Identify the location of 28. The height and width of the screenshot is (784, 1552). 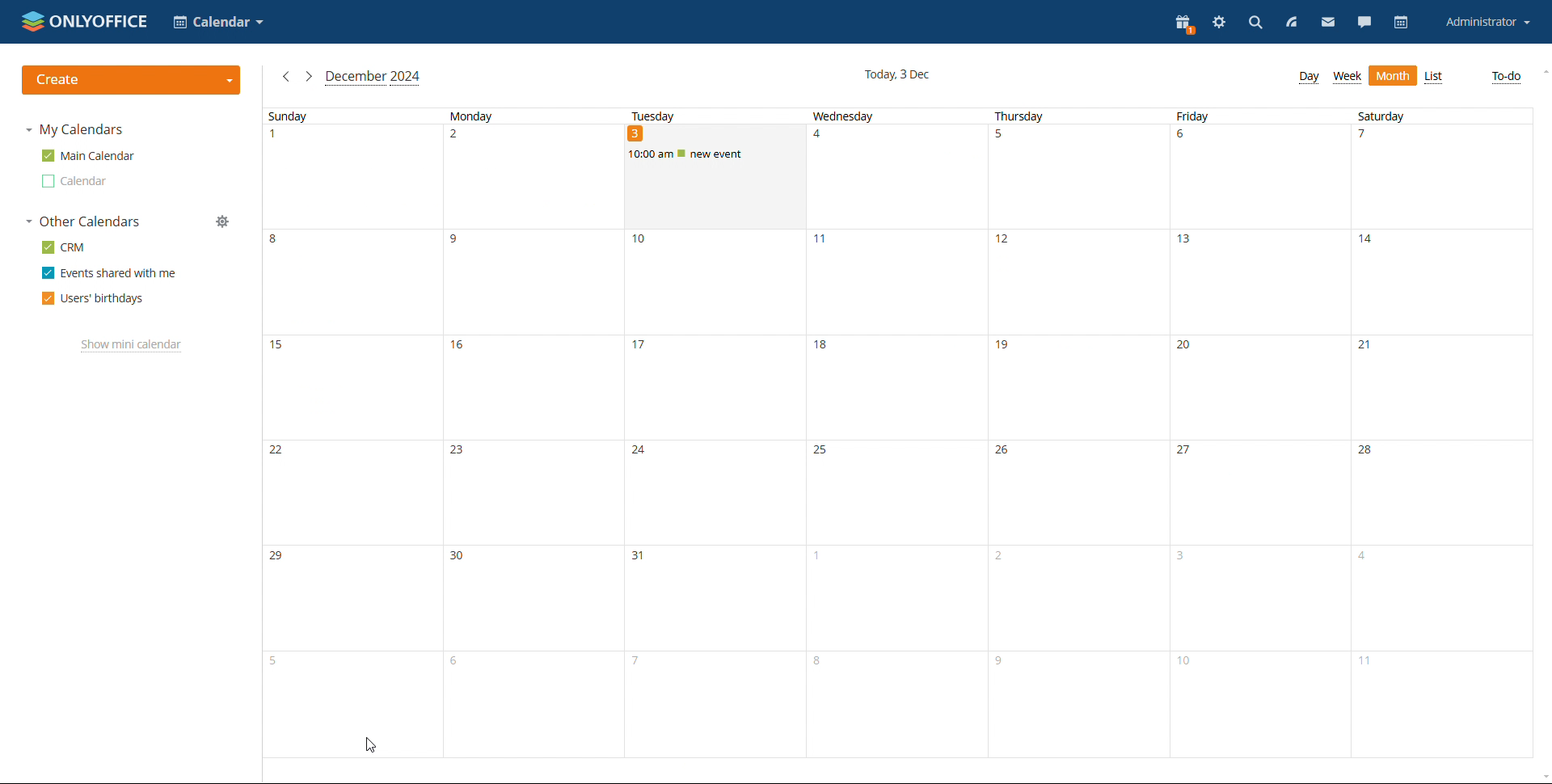
(1444, 491).